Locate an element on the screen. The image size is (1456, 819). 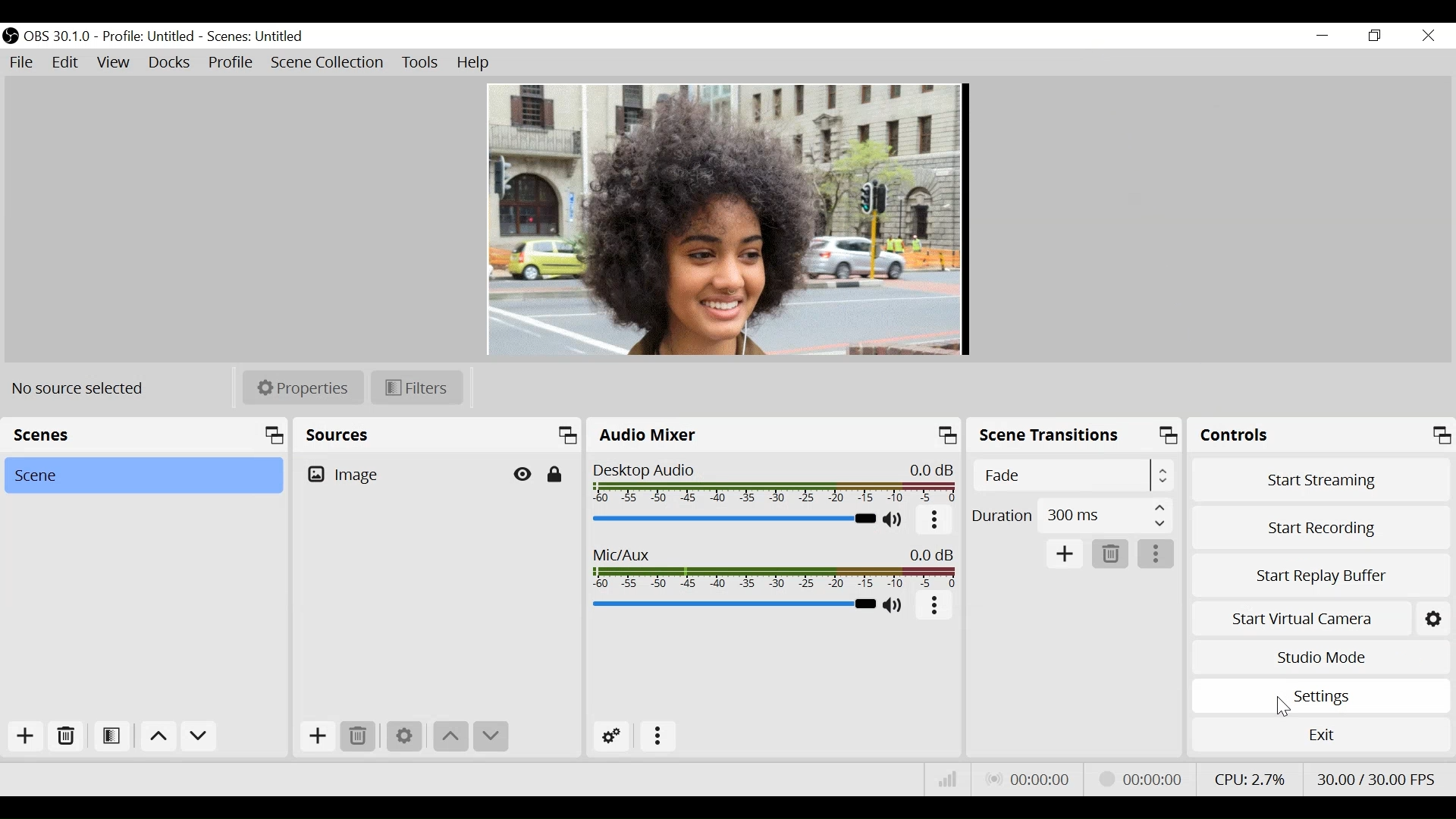
Studio Mode is located at coordinates (1322, 657).